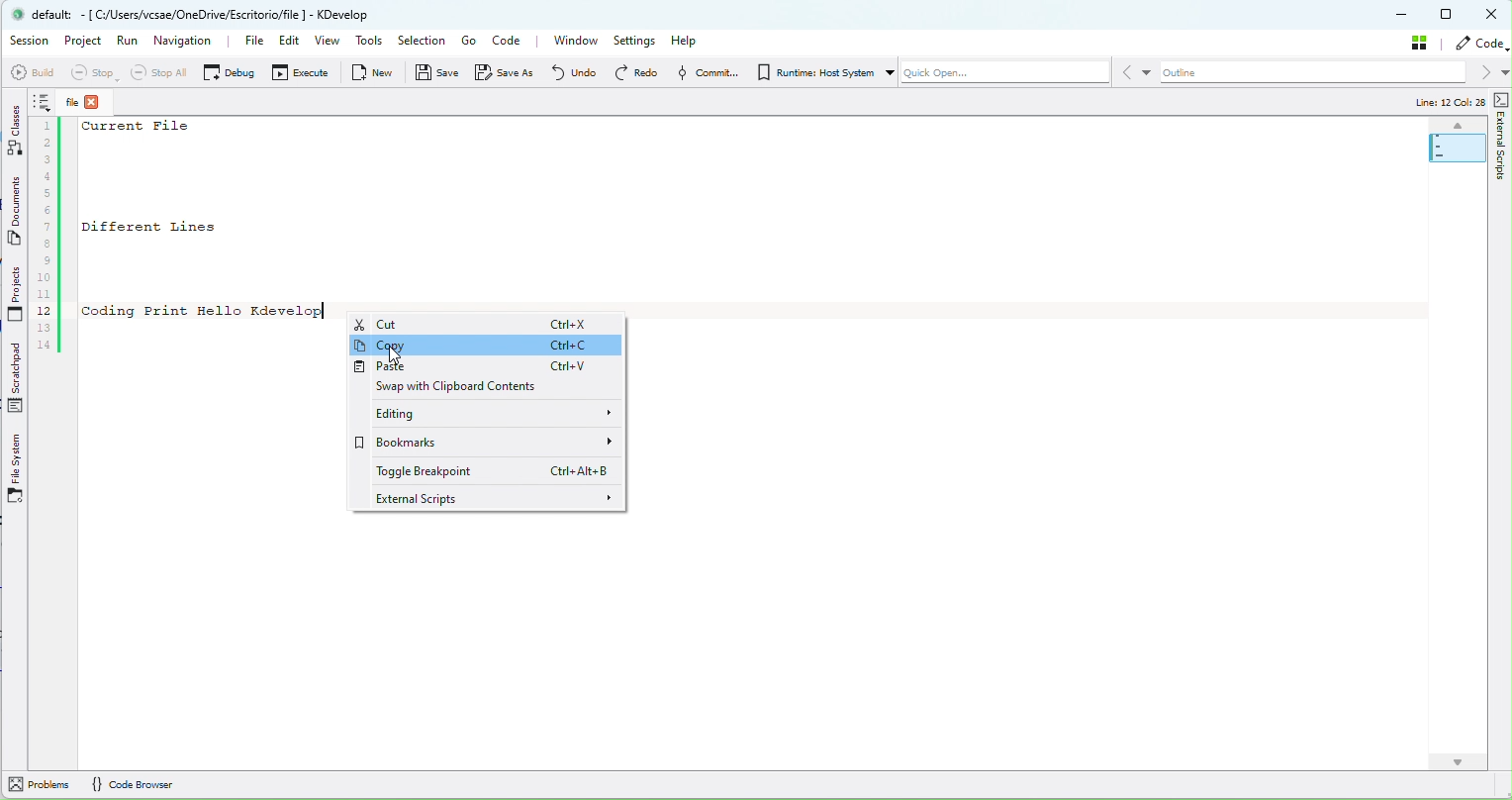  Describe the element at coordinates (1450, 143) in the screenshot. I see `Minimap` at that location.